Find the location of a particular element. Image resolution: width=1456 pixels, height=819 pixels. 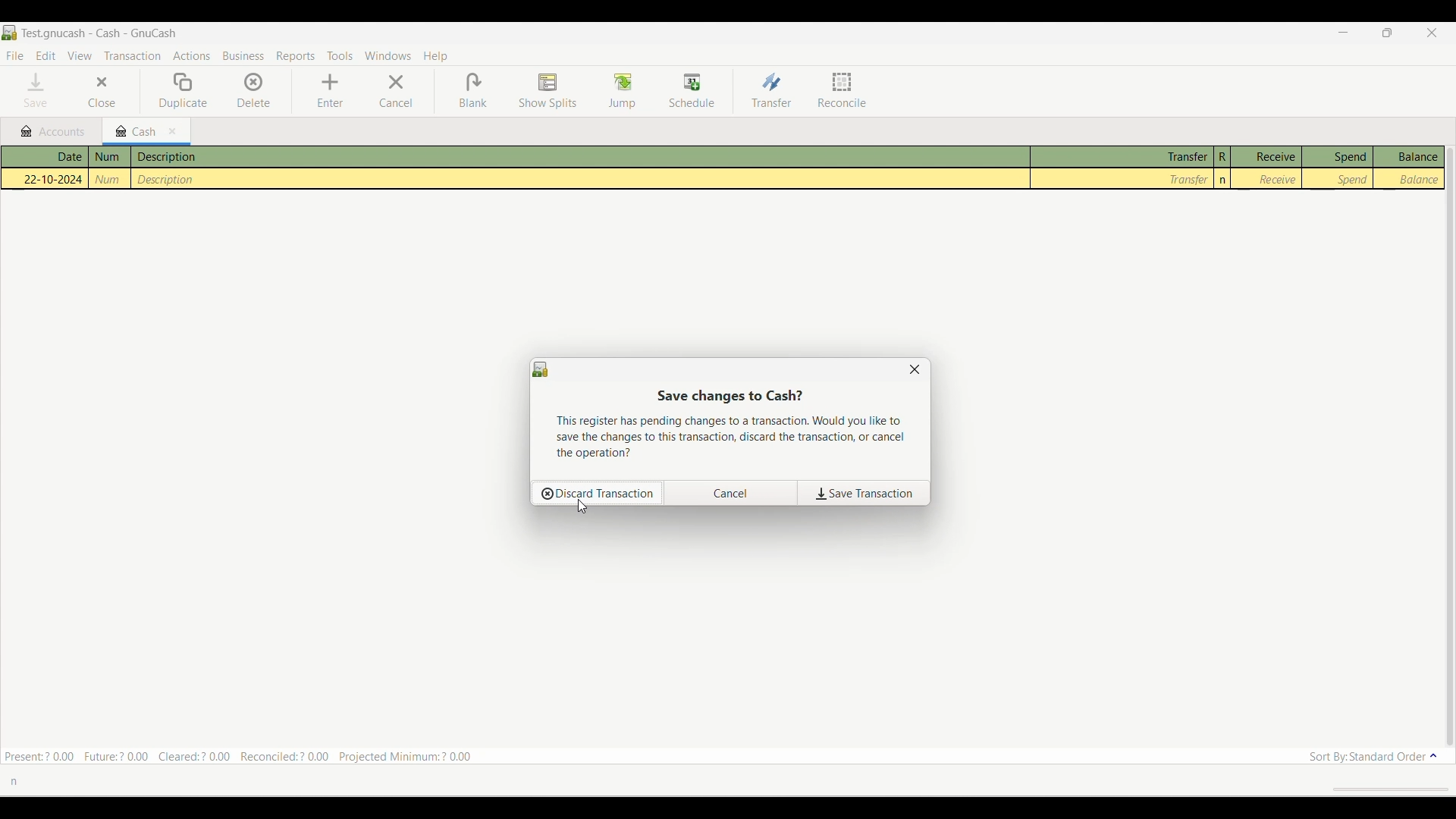

View is located at coordinates (80, 55).